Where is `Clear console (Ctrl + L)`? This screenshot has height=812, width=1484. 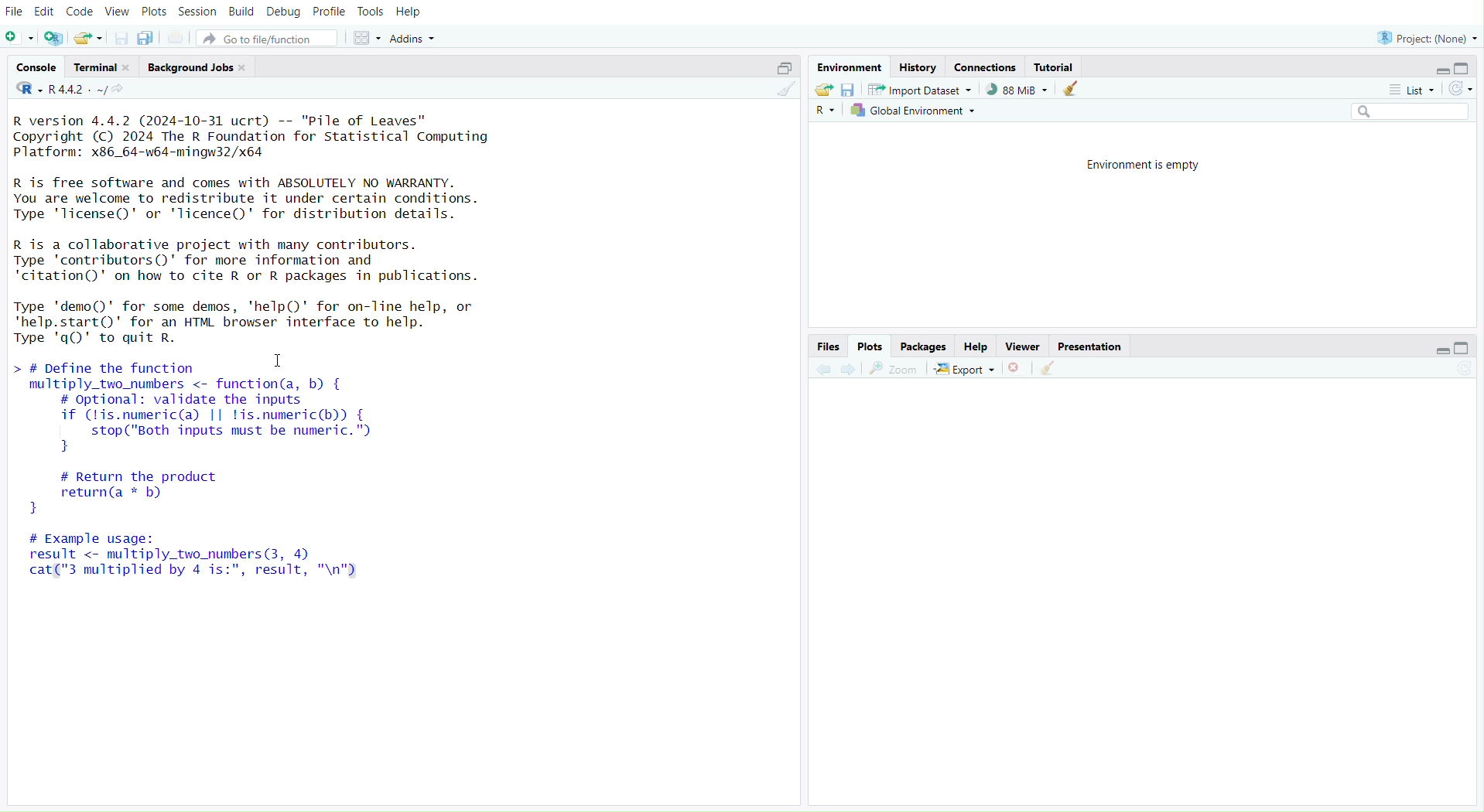 Clear console (Ctrl + L) is located at coordinates (783, 90).